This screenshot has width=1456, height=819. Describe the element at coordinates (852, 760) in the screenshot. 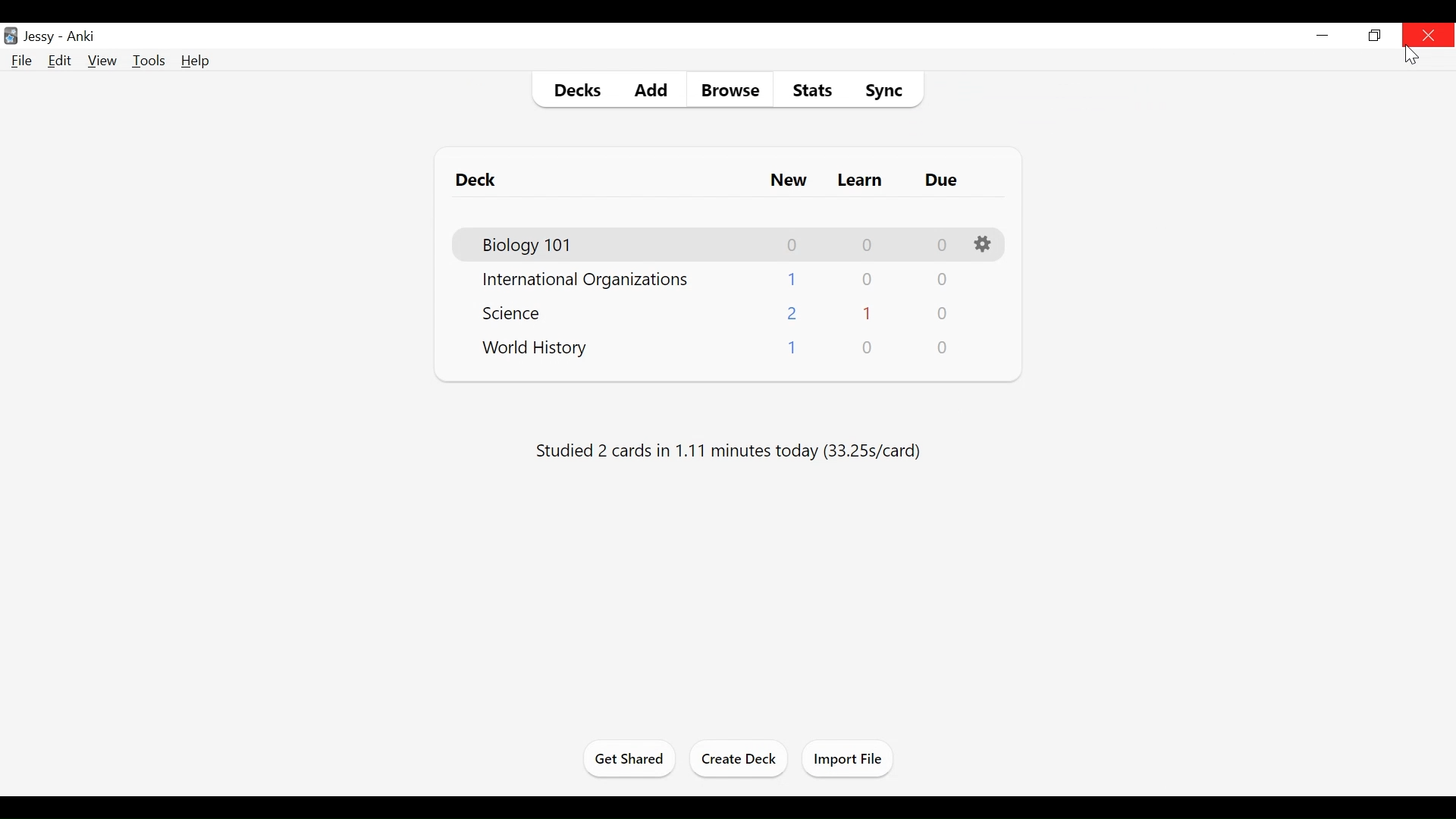

I see `Import Files` at that location.